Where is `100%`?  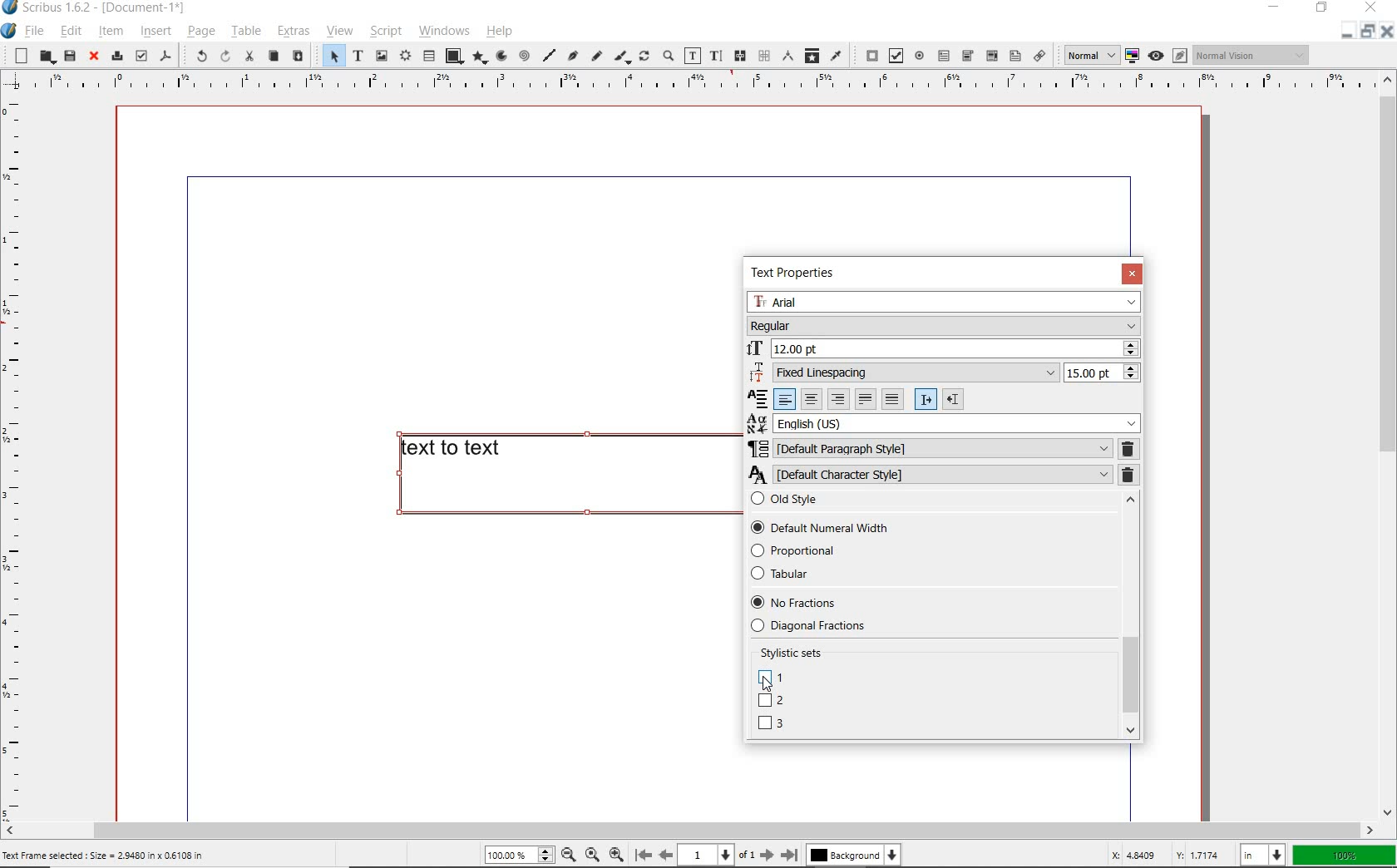 100% is located at coordinates (516, 856).